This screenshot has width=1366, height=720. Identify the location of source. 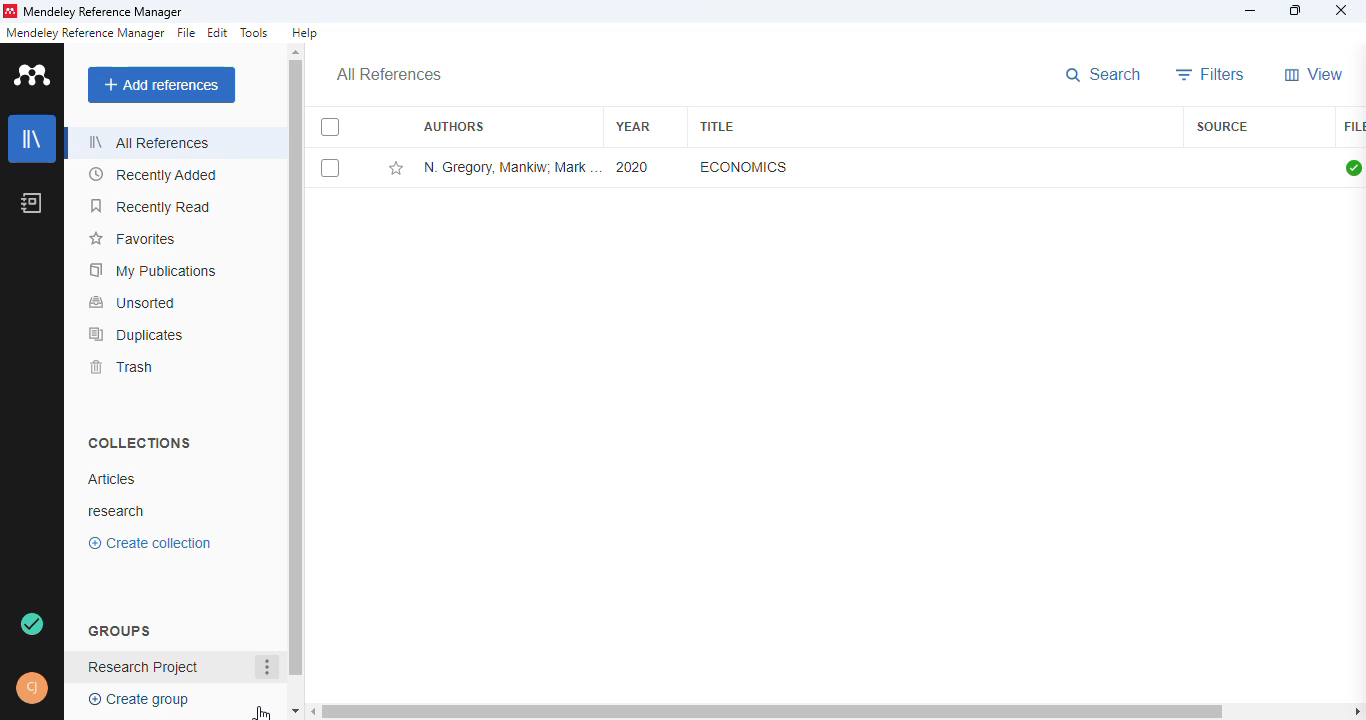
(1223, 128).